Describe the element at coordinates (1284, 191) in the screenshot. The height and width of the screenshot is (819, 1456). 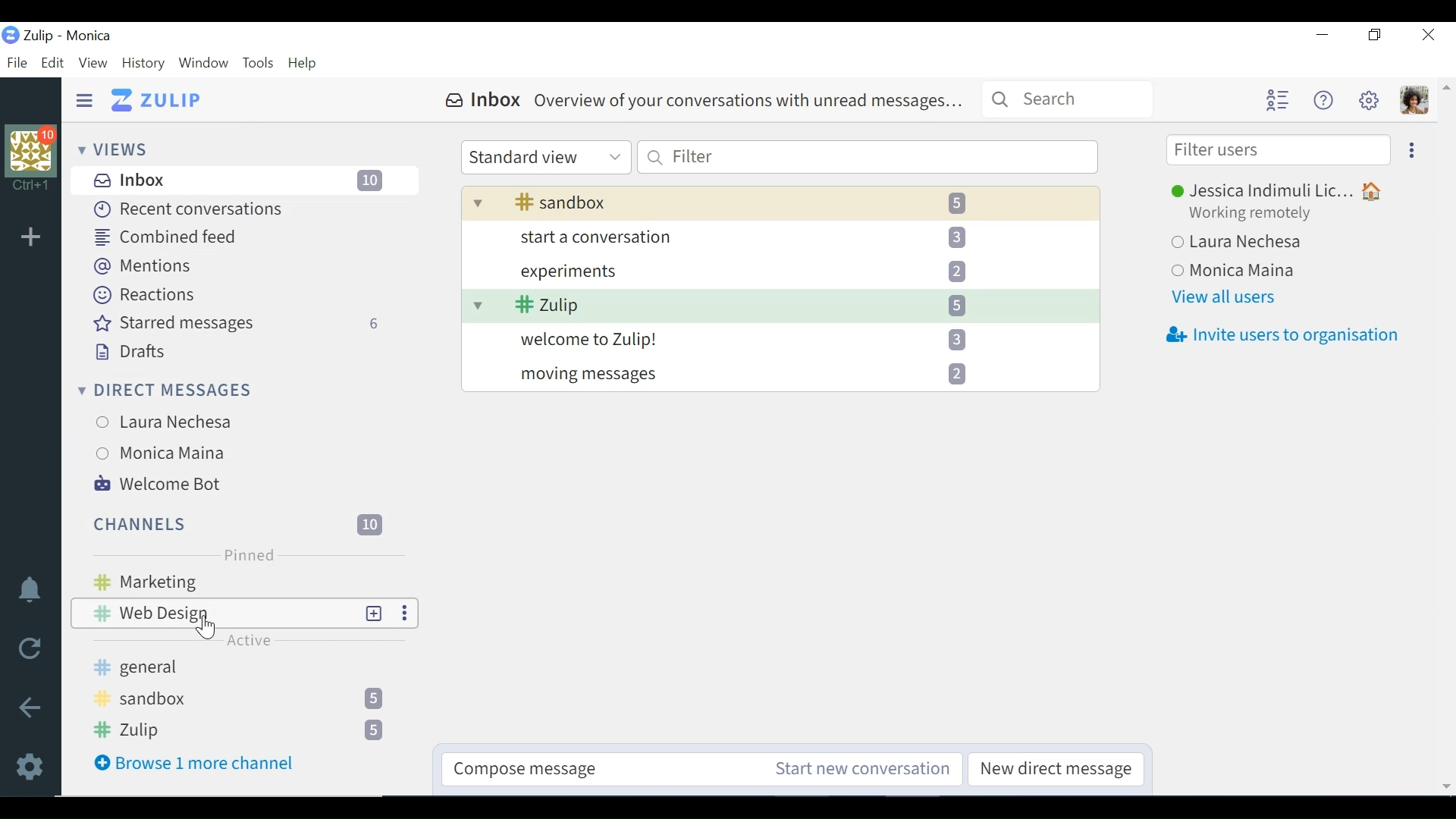
I see `User` at that location.